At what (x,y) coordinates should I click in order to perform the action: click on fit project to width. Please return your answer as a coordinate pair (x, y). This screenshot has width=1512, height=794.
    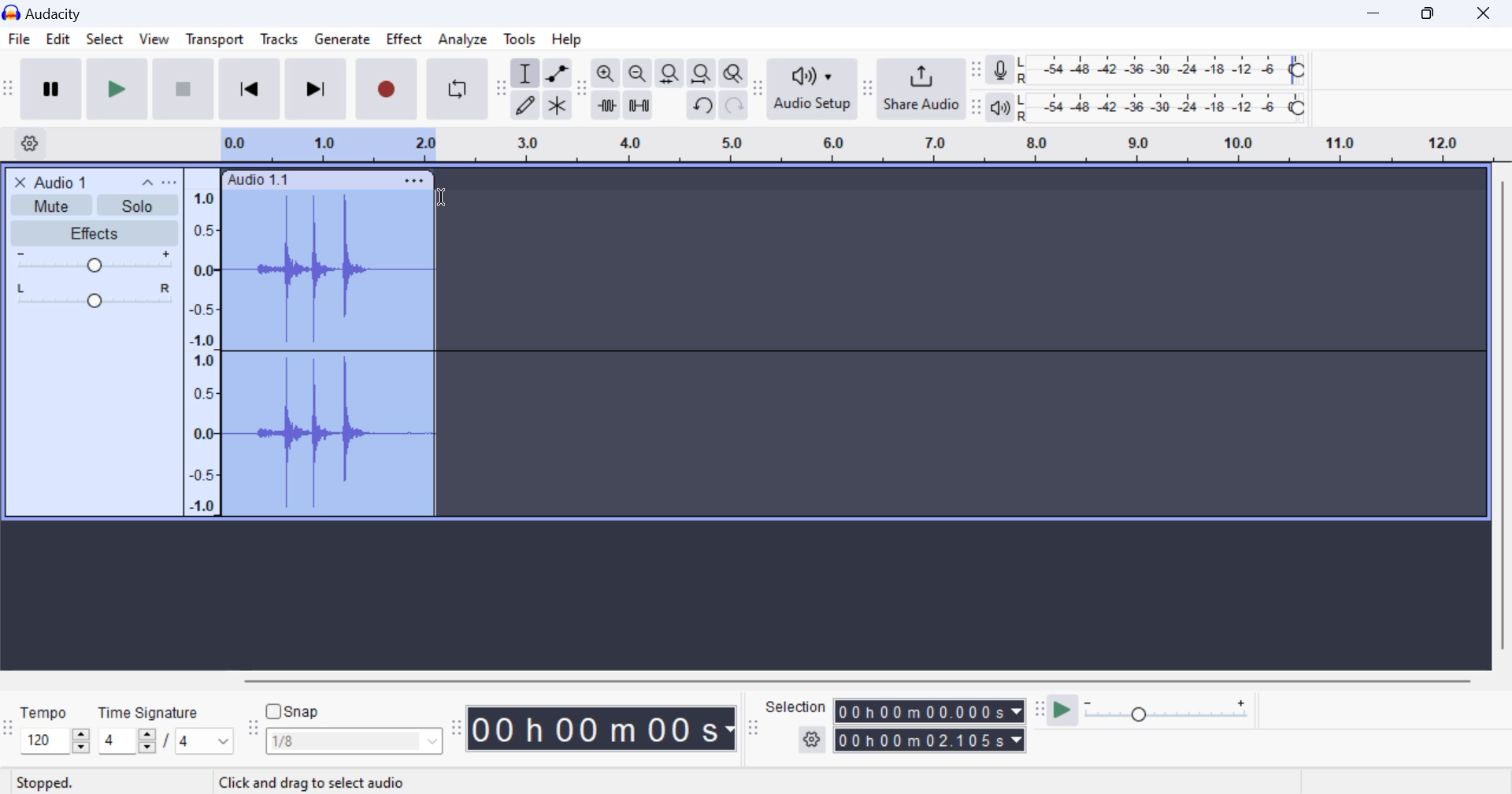
    Looking at the image, I should click on (702, 74).